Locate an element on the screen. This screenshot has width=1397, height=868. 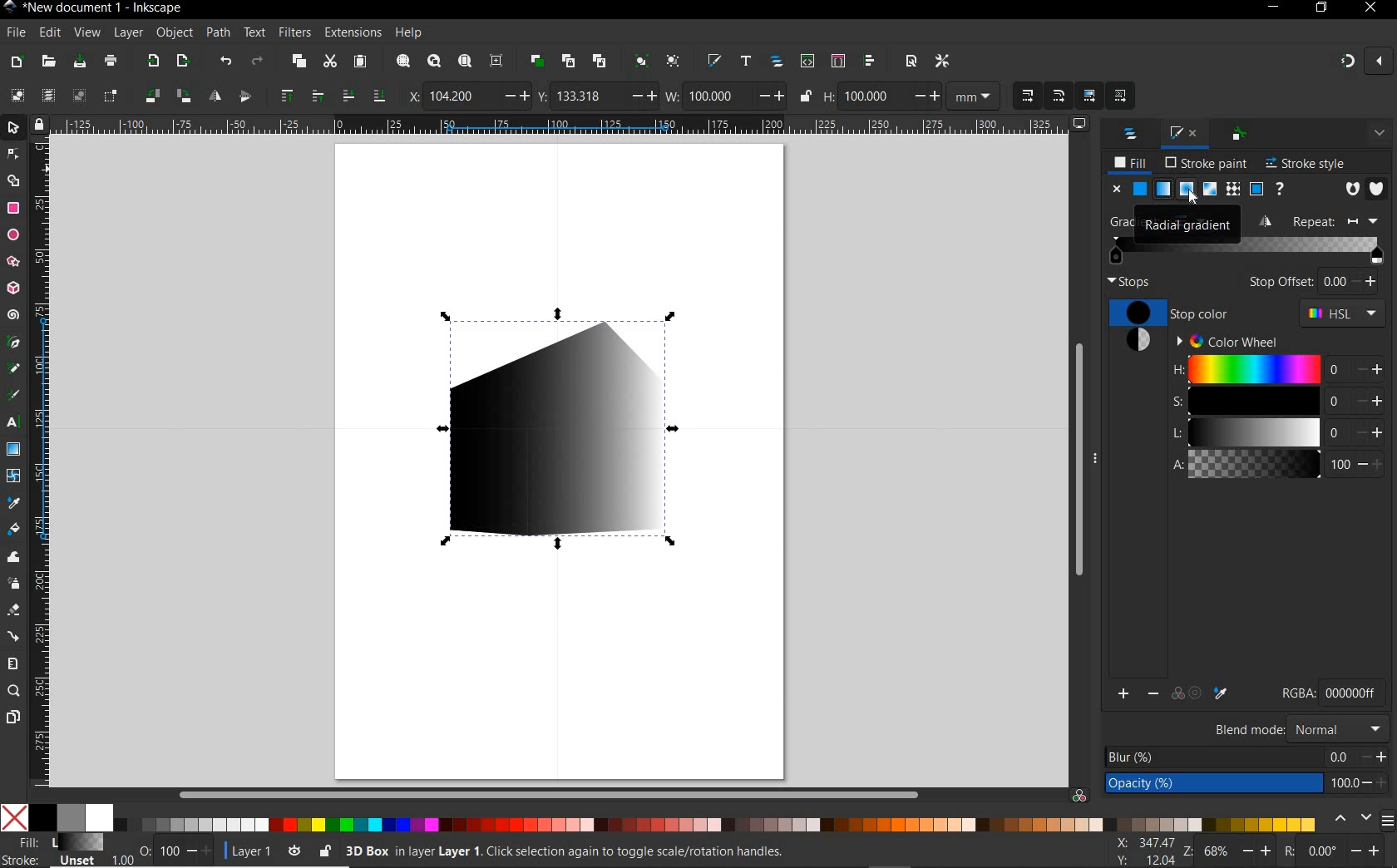
FILE is located at coordinates (15, 33).